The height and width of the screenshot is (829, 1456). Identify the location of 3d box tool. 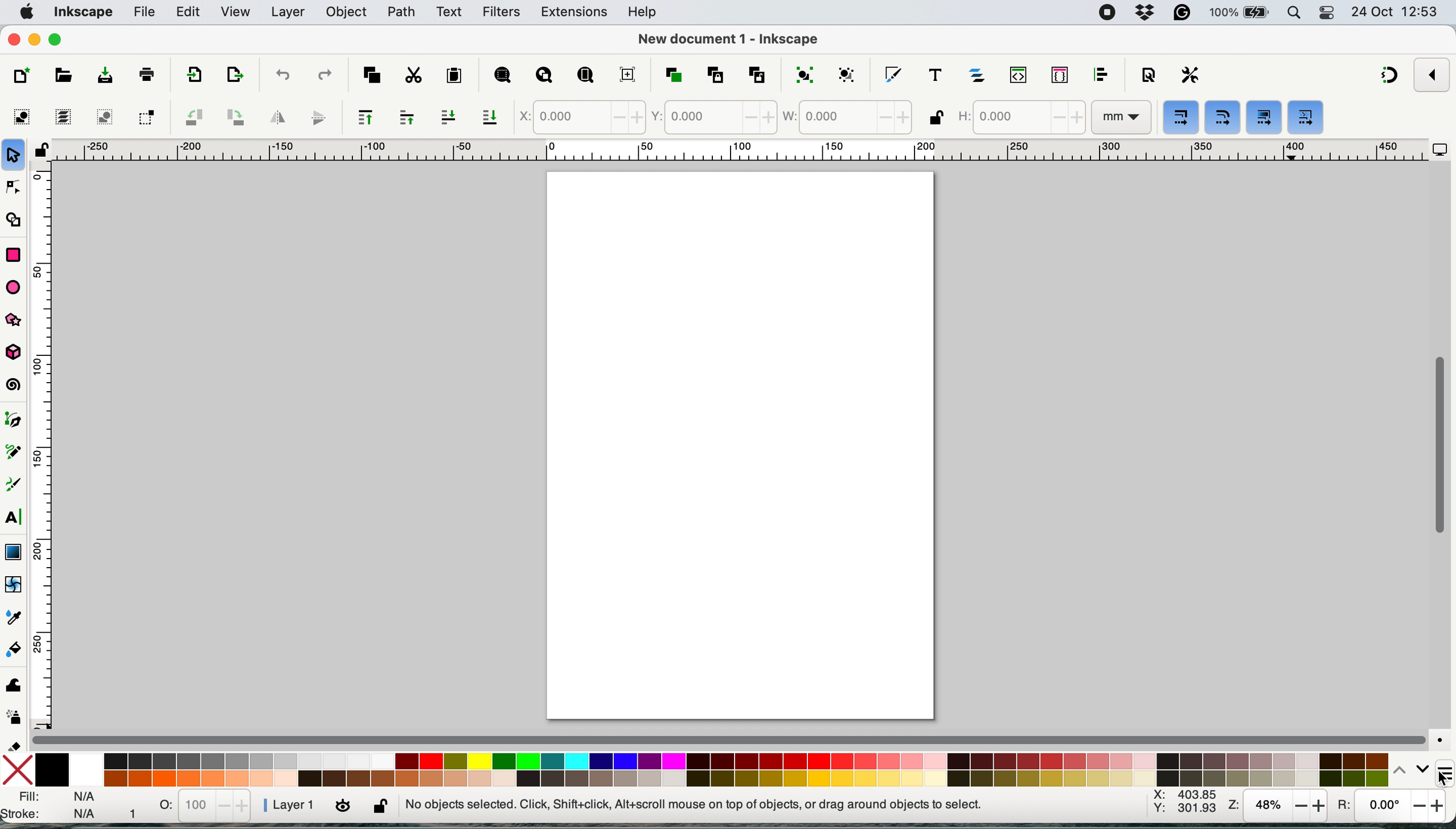
(17, 352).